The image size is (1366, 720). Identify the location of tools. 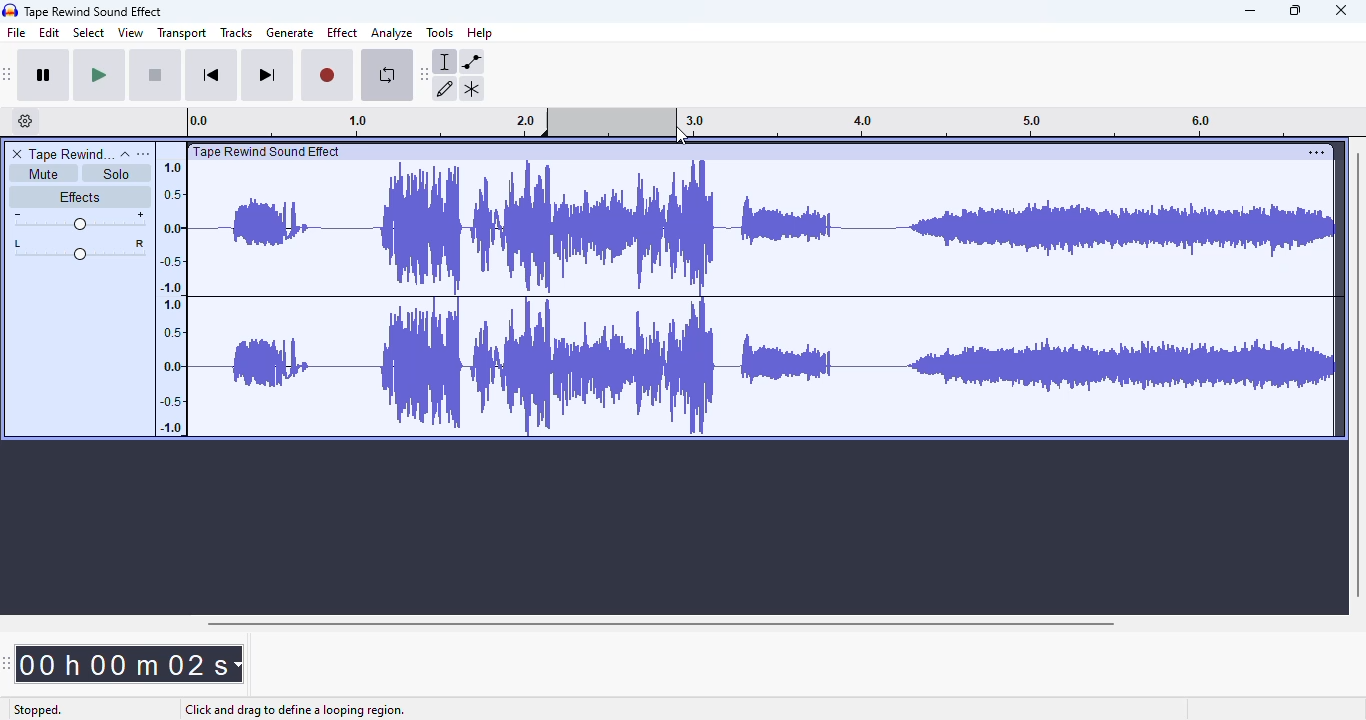
(441, 32).